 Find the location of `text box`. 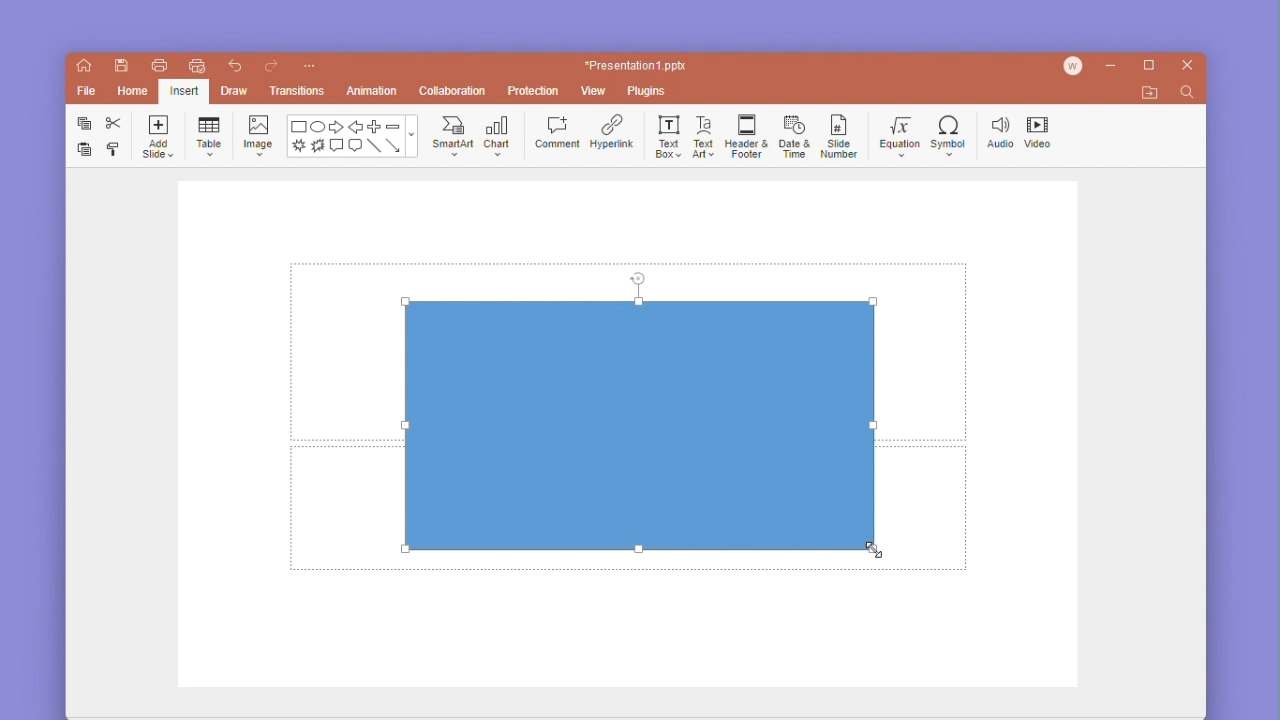

text box is located at coordinates (665, 135).